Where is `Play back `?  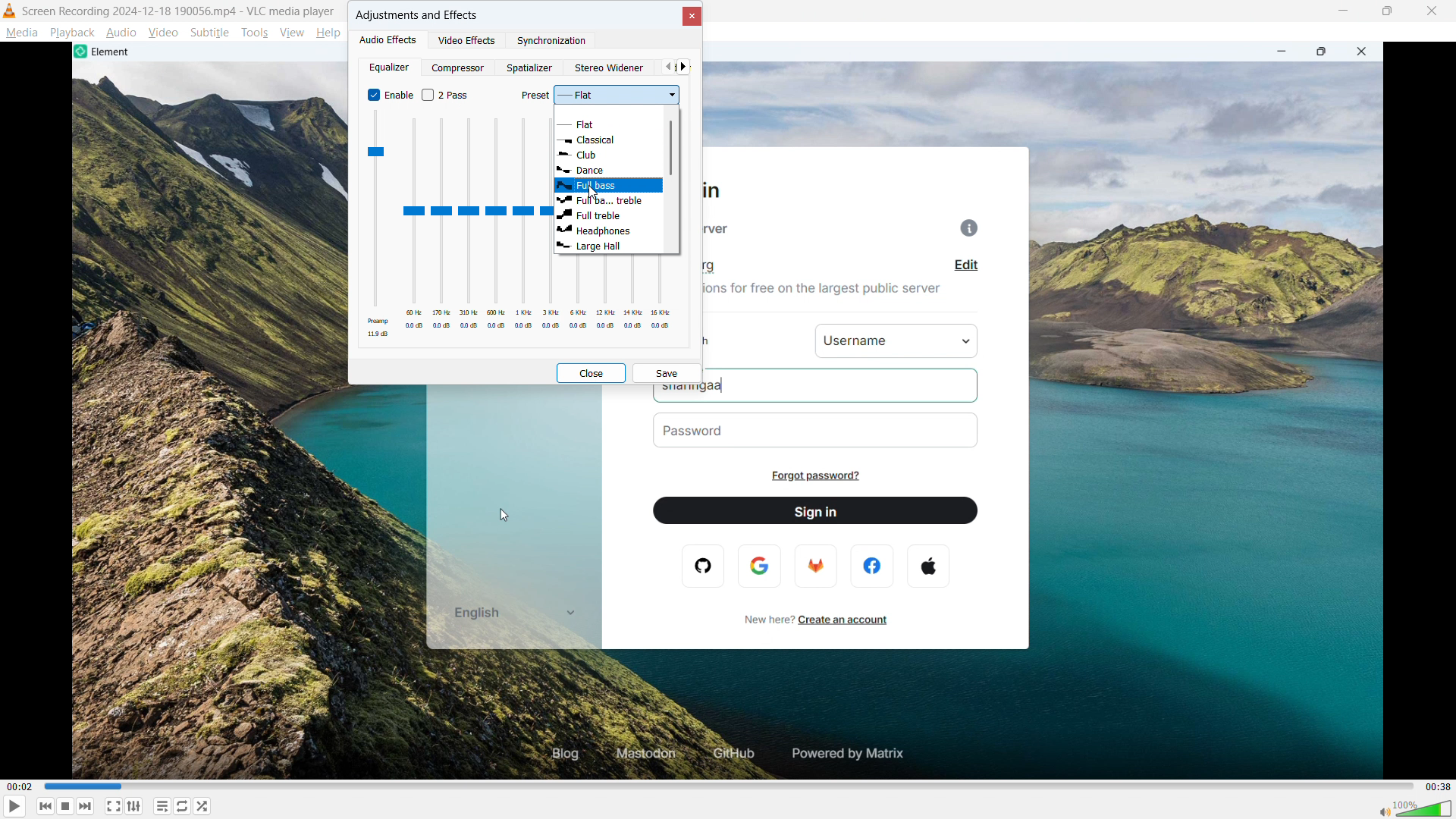 Play back  is located at coordinates (72, 33).